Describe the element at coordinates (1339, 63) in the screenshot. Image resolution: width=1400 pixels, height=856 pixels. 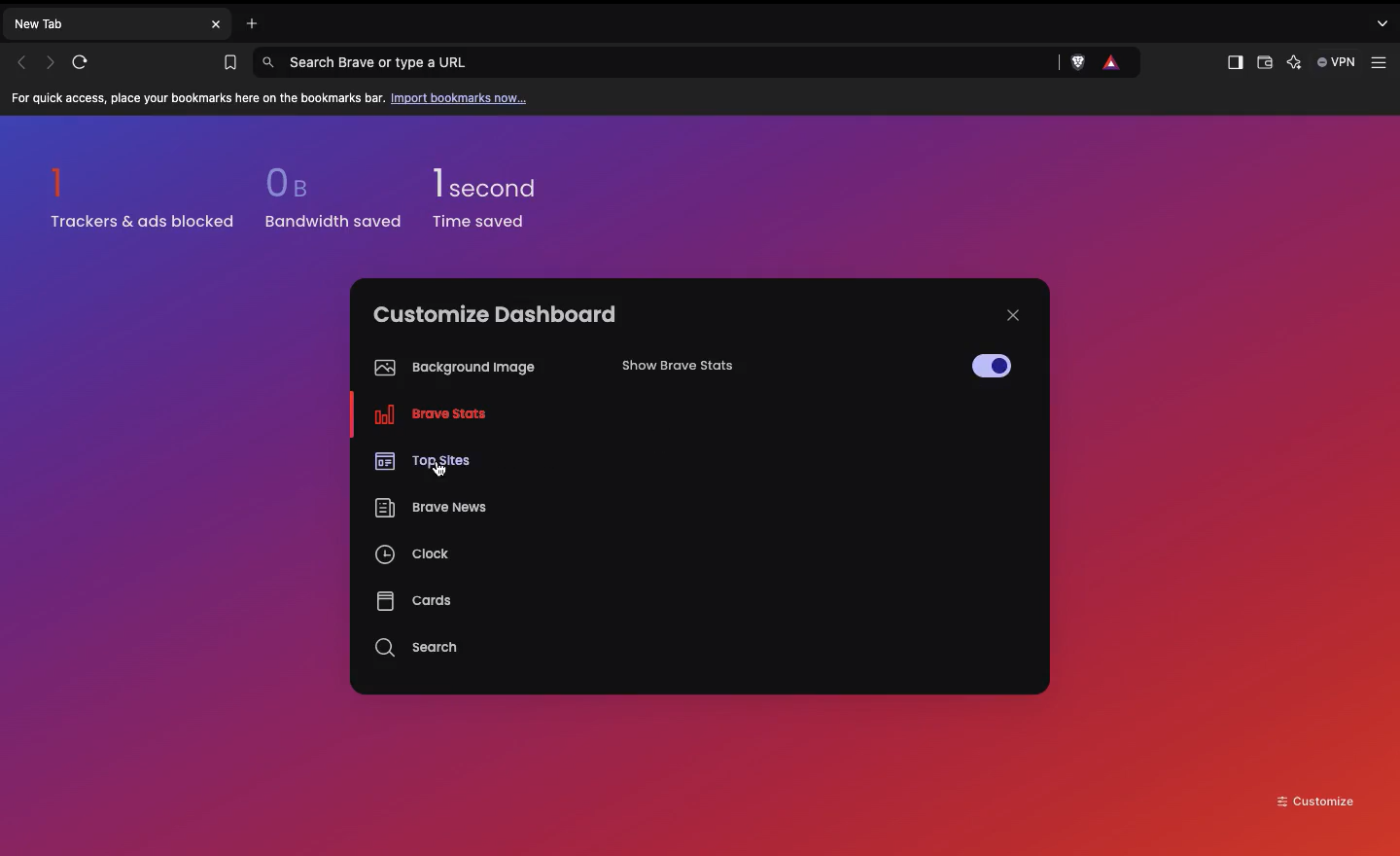
I see `VPN` at that location.